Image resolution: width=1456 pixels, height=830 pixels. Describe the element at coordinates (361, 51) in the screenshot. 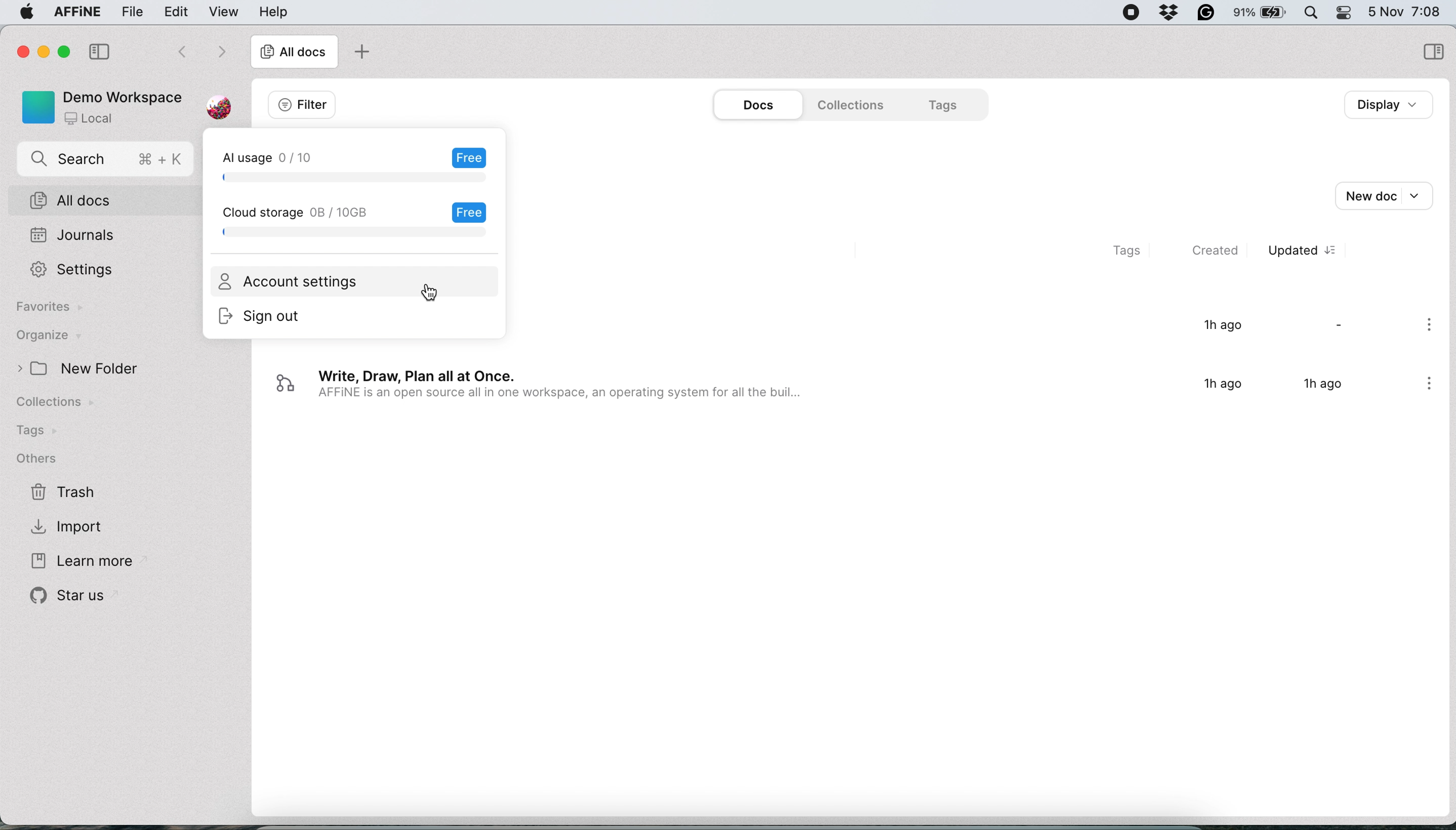

I see `new tab` at that location.